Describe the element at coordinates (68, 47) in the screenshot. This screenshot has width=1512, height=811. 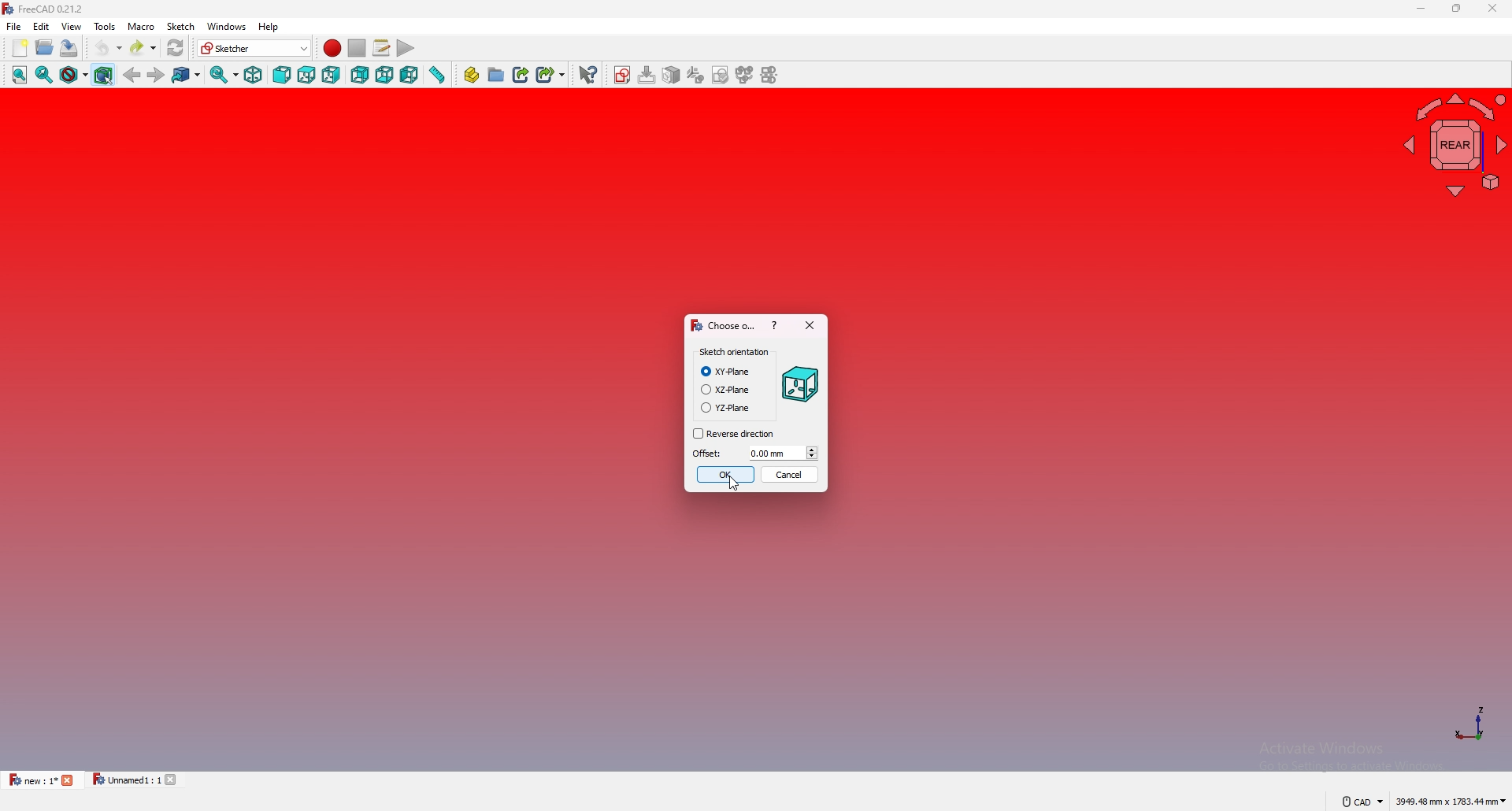
I see `save` at that location.